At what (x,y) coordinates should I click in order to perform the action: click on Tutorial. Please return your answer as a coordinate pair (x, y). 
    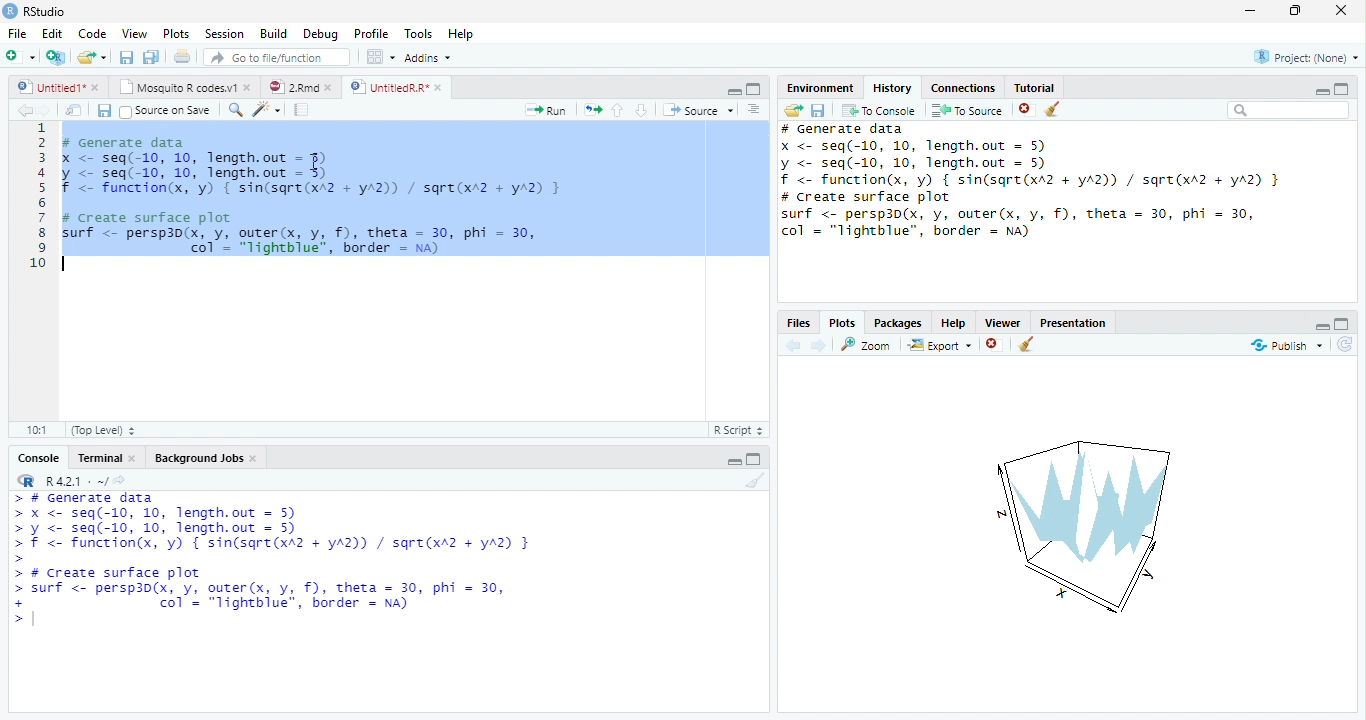
    Looking at the image, I should click on (1034, 86).